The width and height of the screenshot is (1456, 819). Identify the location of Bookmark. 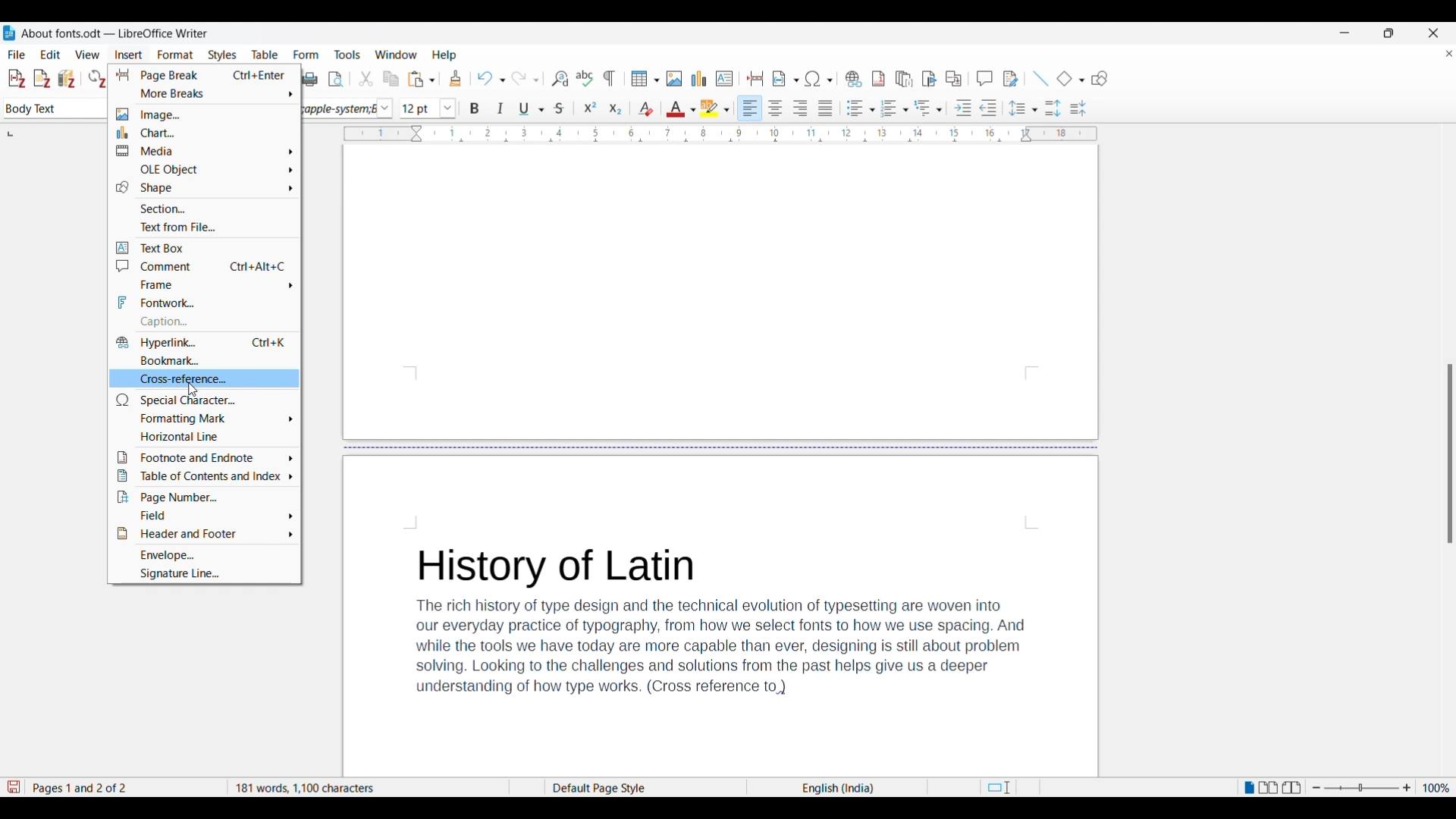
(205, 359).